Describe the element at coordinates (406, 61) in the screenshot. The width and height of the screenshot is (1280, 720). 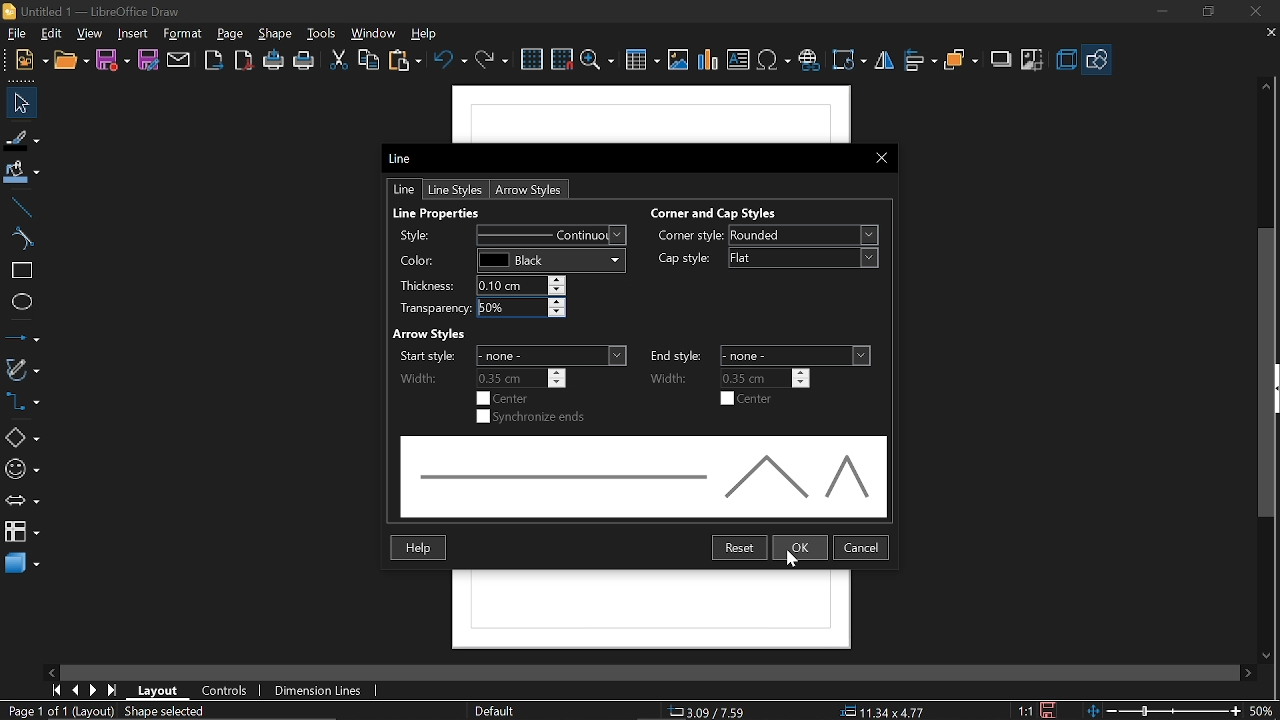
I see `paste` at that location.